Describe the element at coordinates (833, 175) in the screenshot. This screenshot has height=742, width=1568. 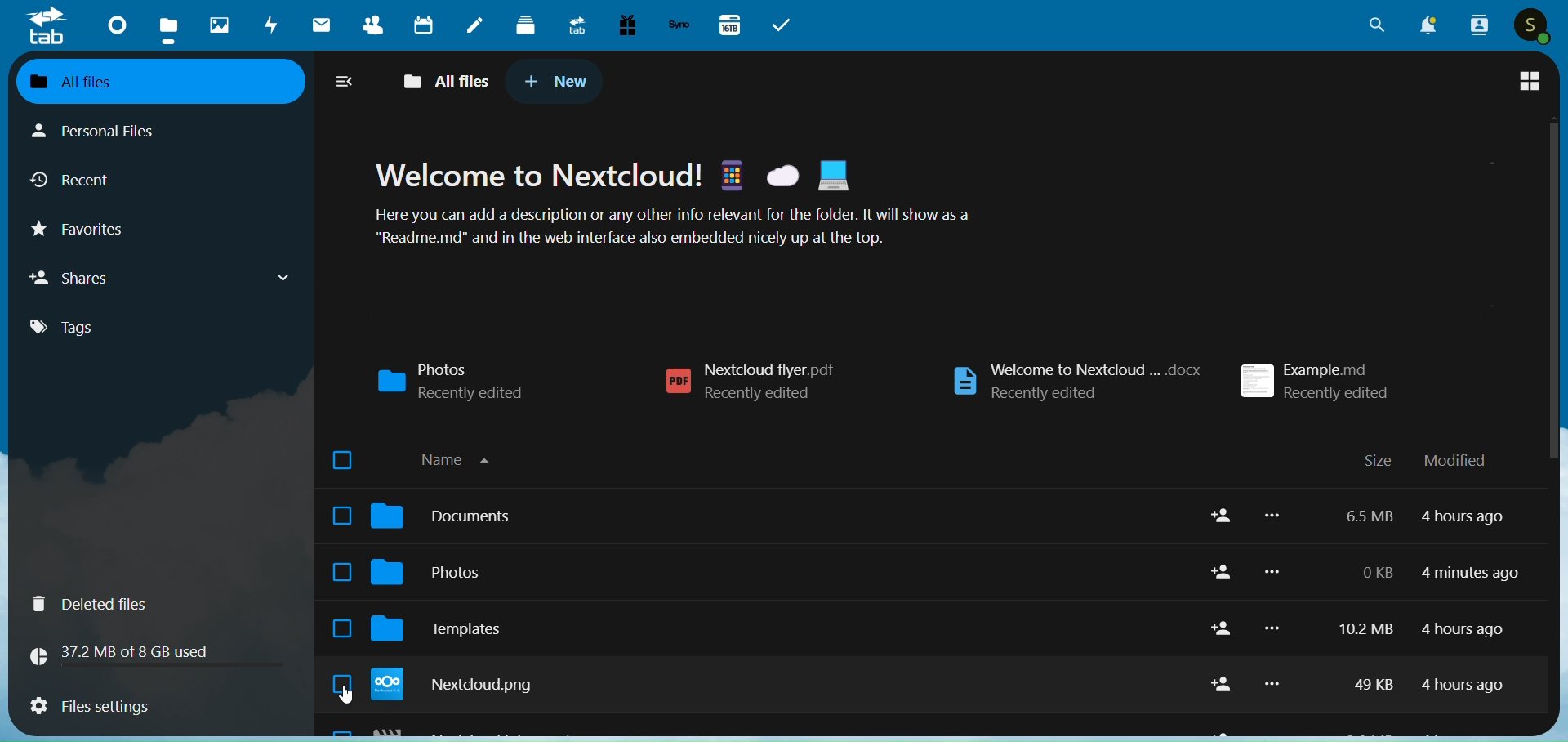
I see `Laptop emoji` at that location.